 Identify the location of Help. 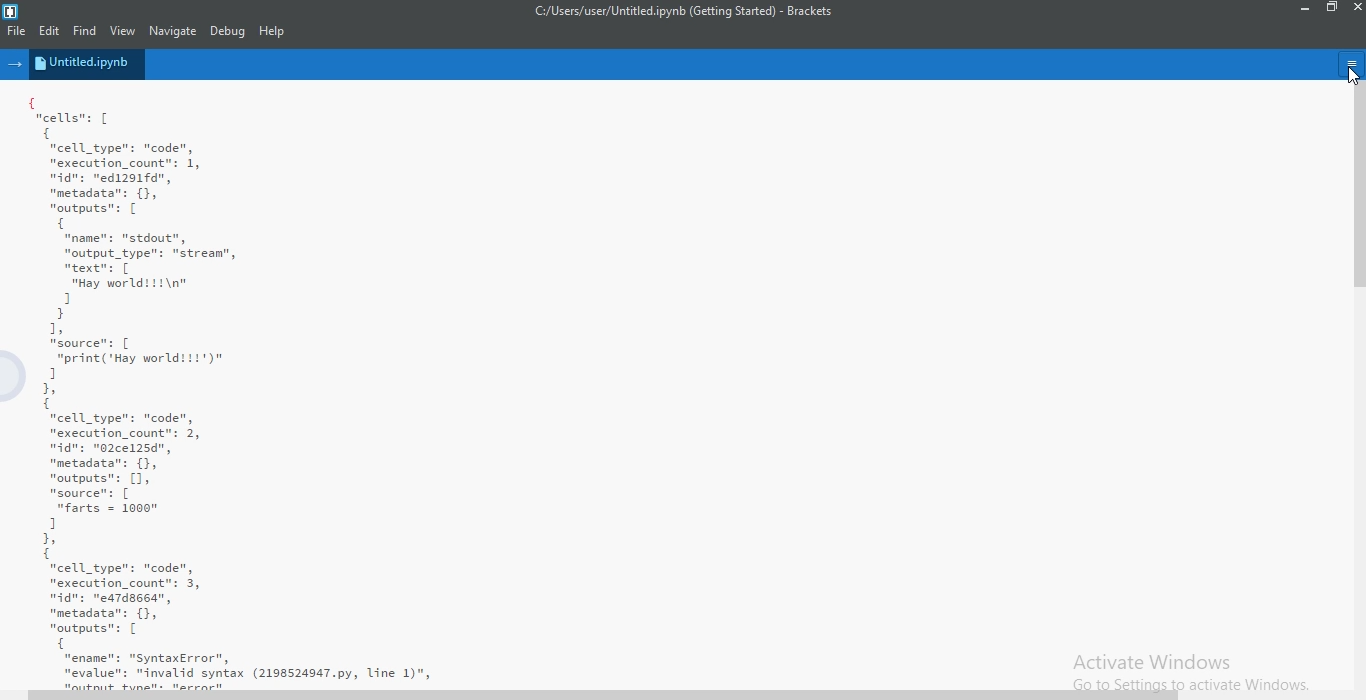
(273, 33).